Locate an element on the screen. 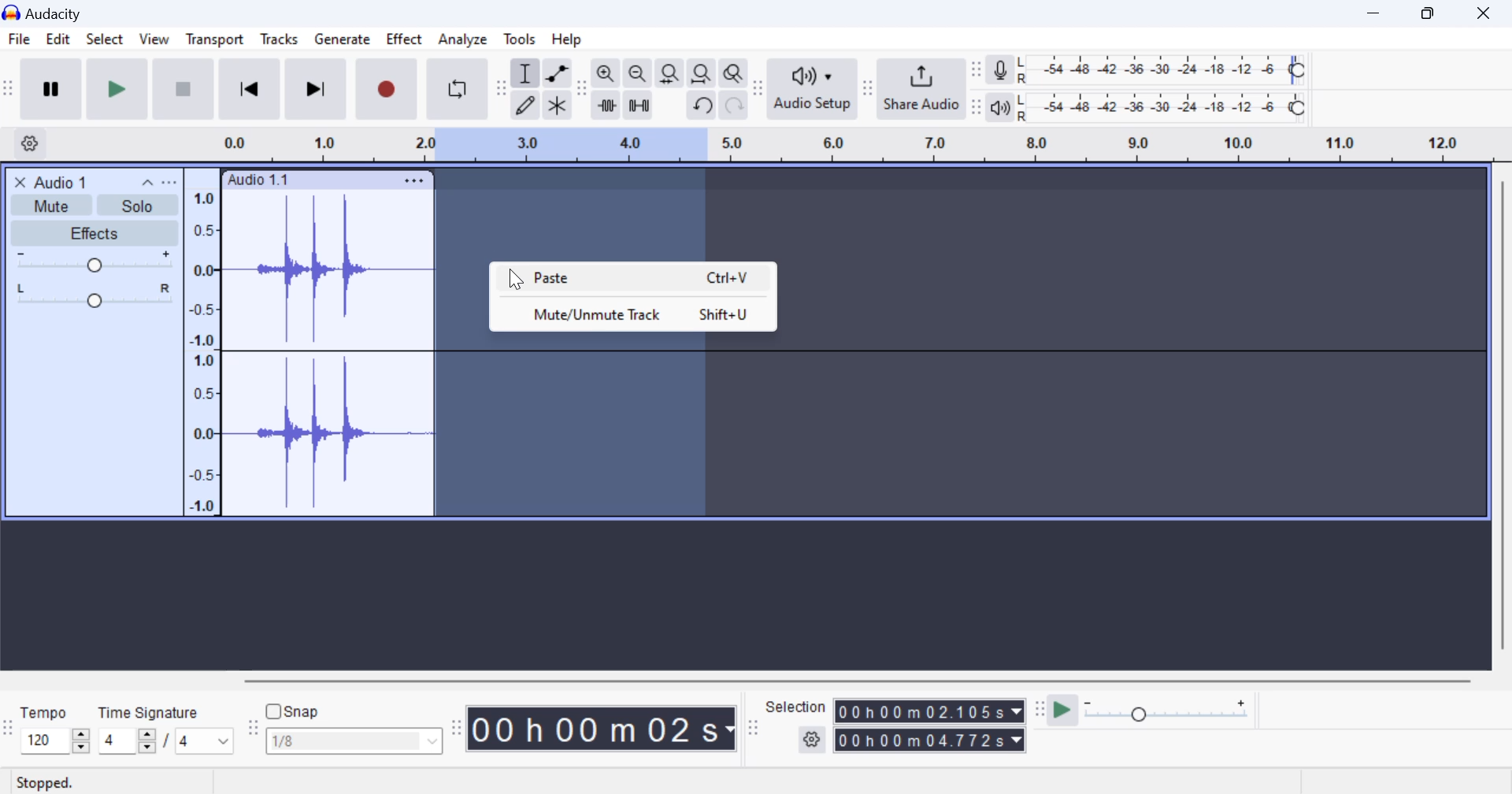 The height and width of the screenshot is (794, 1512). close track is located at coordinates (20, 181).